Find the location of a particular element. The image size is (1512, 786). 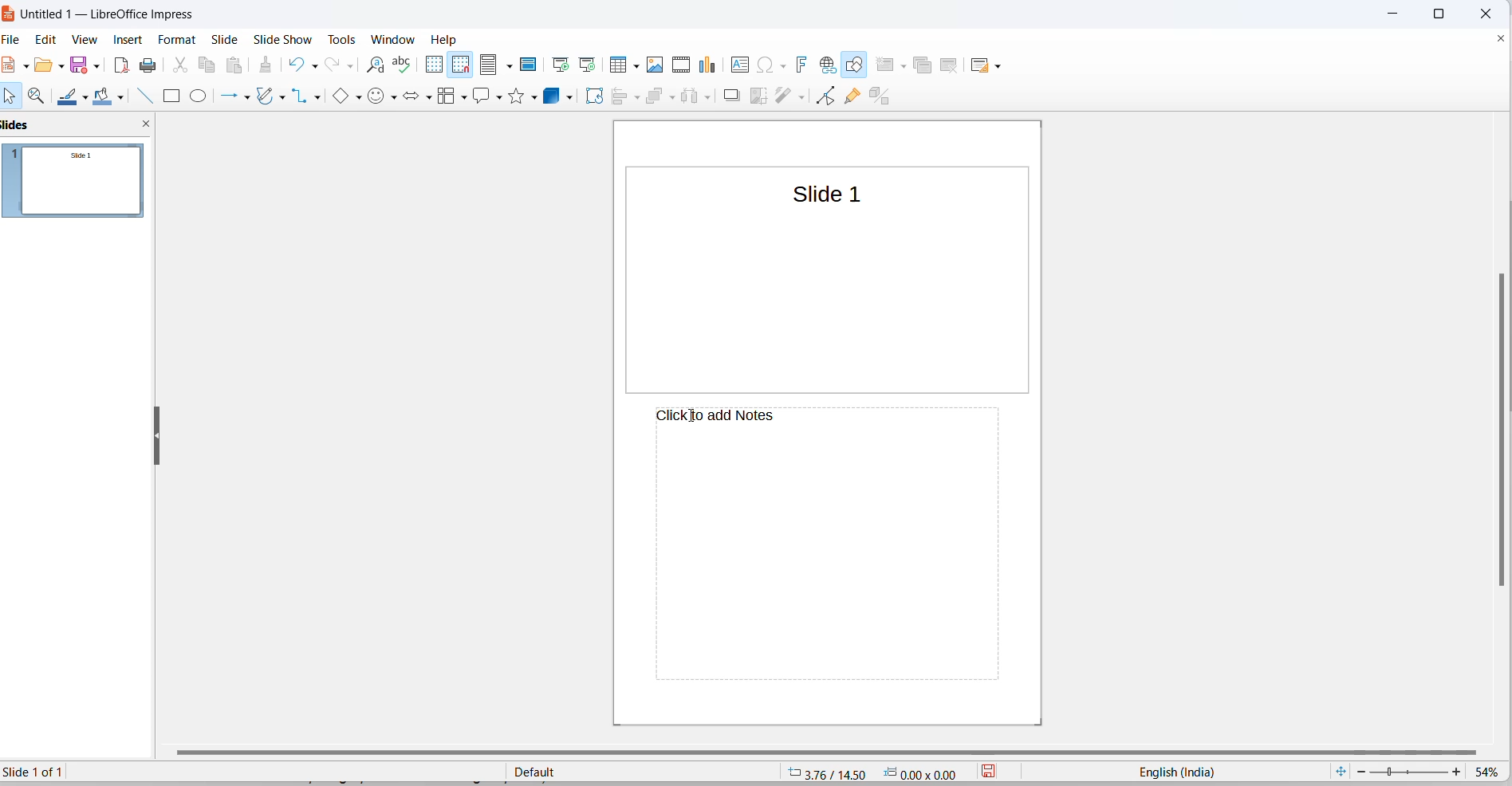

flowchart options is located at coordinates (460, 101).